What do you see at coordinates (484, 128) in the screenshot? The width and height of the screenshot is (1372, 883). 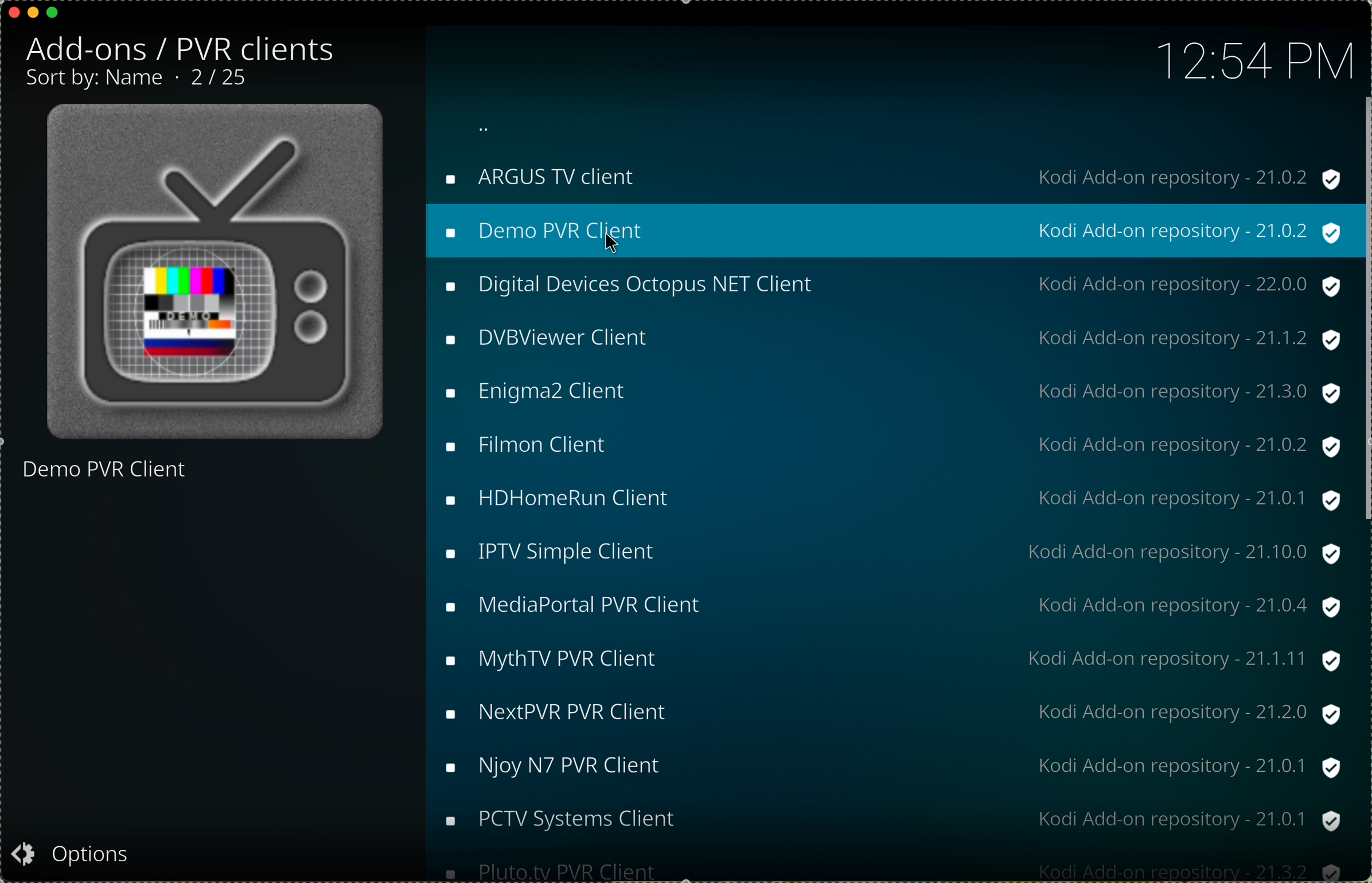 I see `back` at bounding box center [484, 128].